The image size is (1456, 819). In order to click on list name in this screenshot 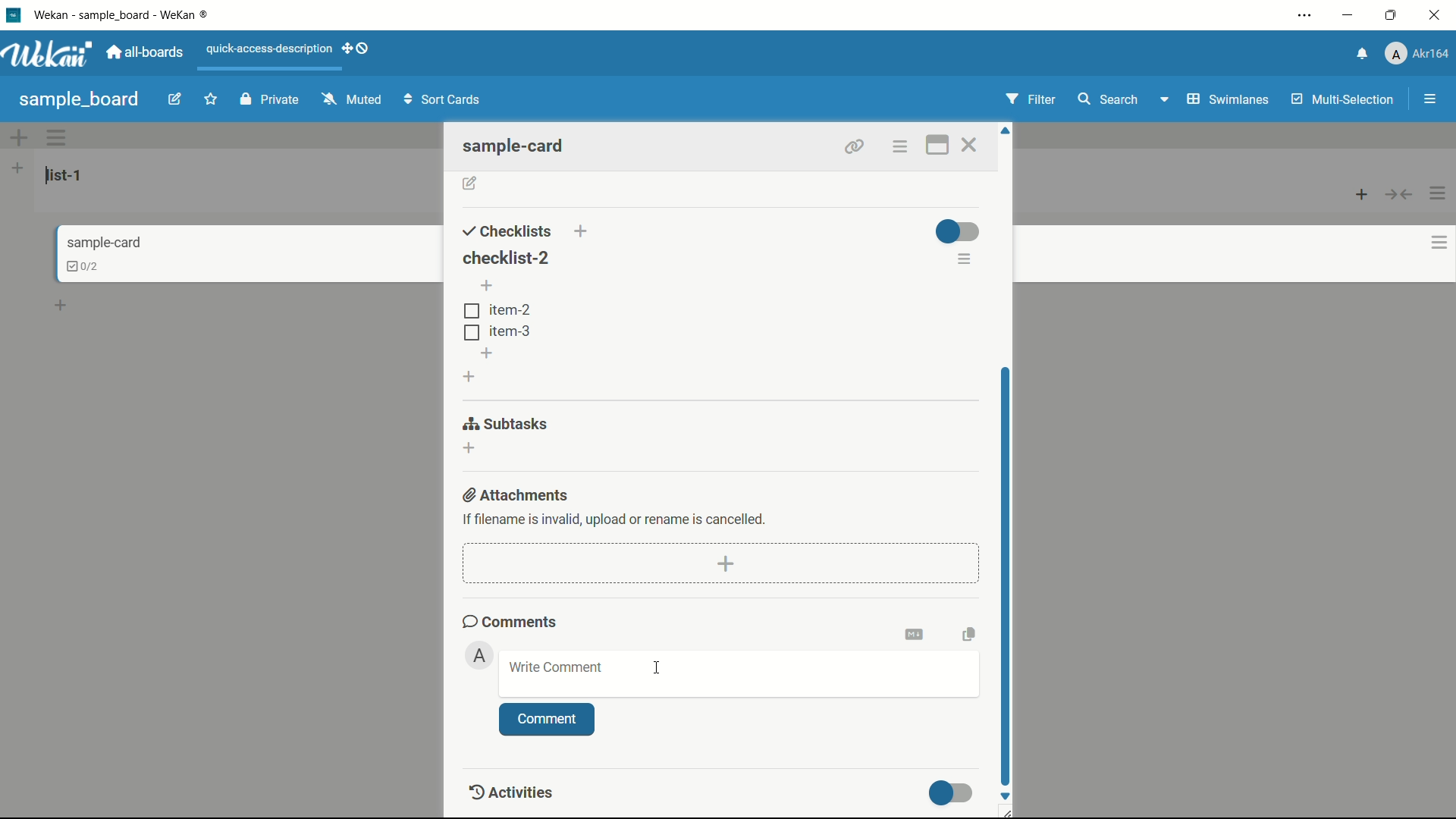, I will do `click(67, 175)`.